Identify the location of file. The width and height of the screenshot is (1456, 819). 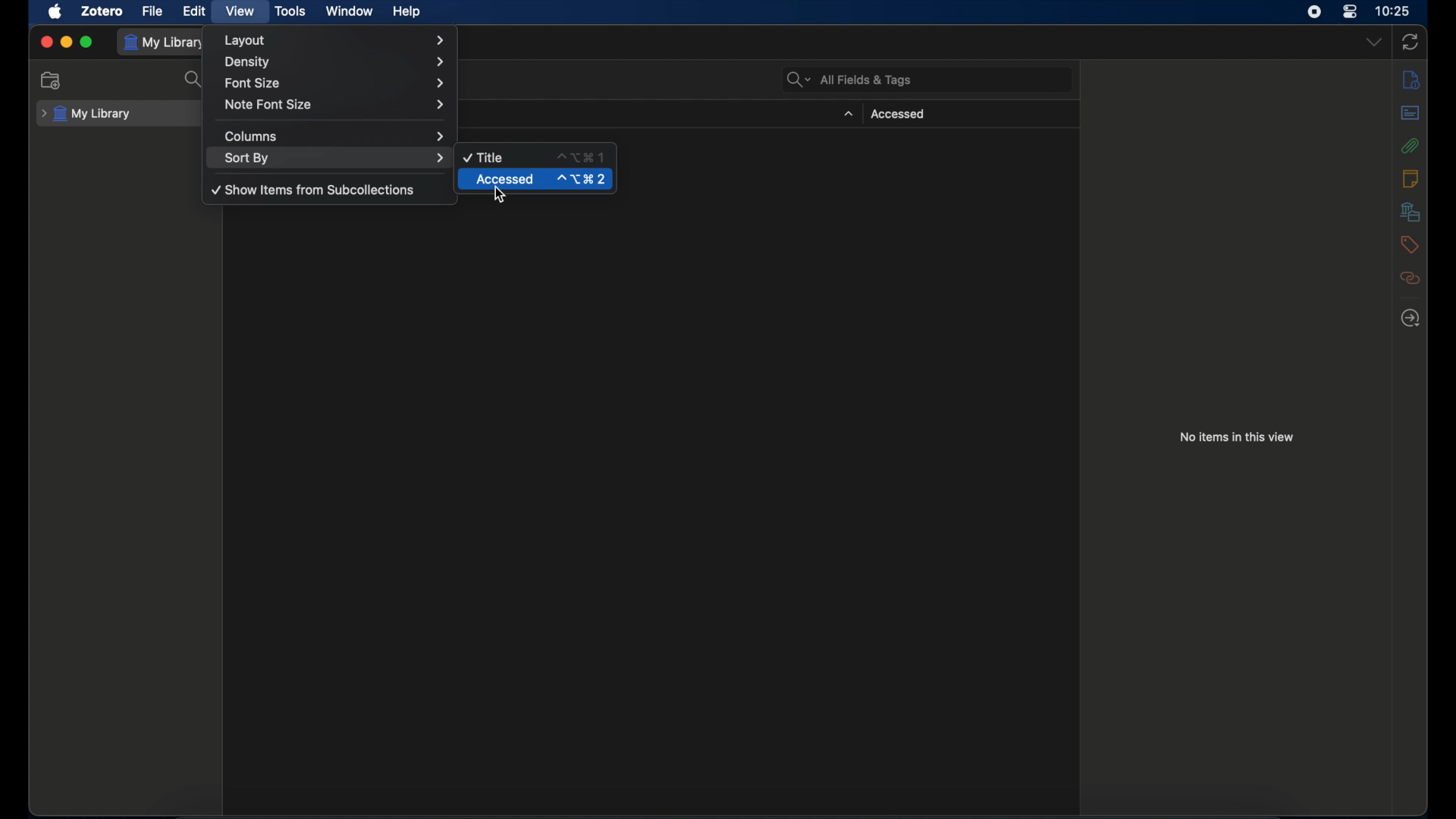
(152, 11).